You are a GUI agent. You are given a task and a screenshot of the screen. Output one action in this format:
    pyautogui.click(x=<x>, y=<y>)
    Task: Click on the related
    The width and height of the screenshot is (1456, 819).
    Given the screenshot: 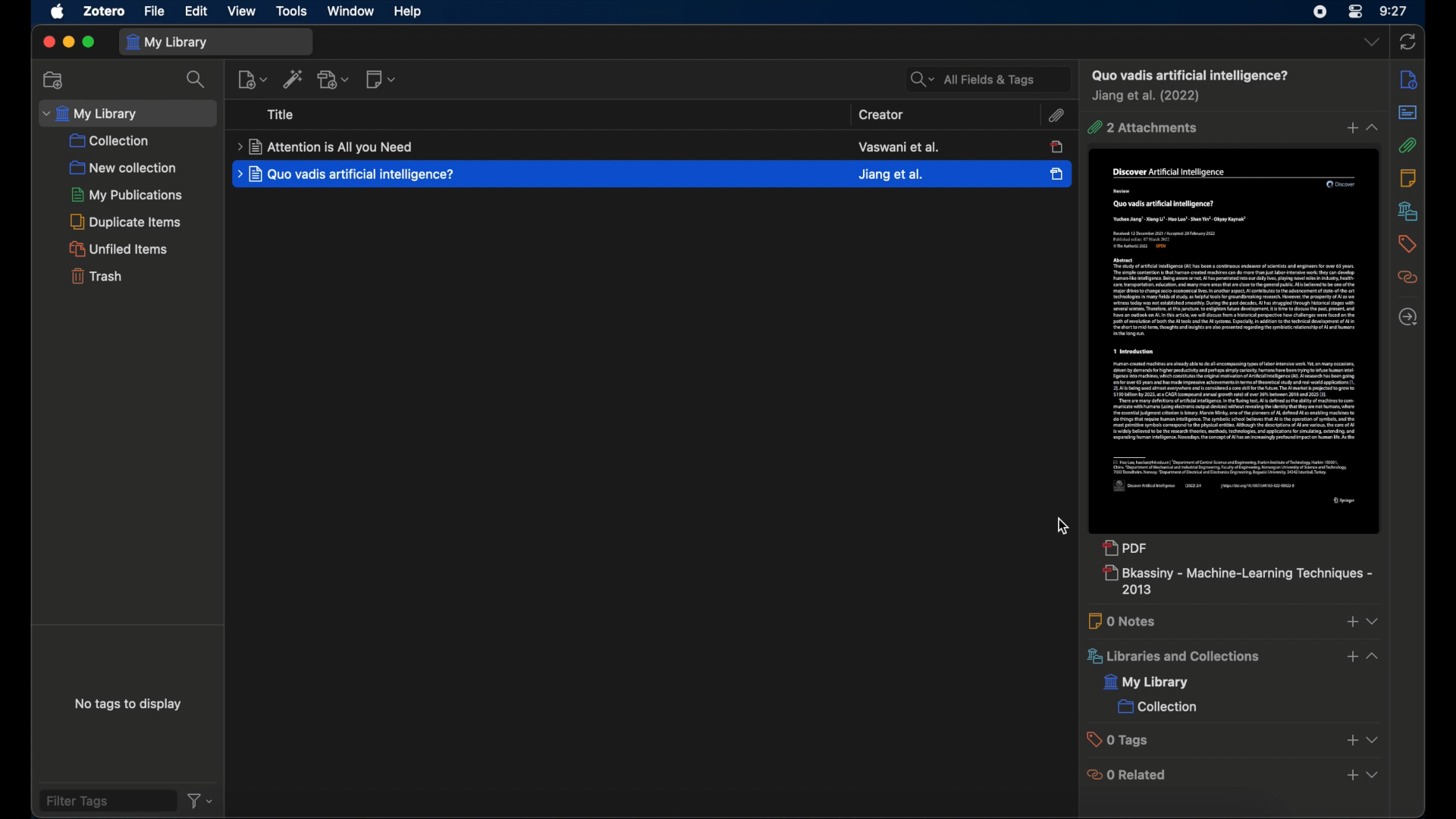 What is the action you would take?
    pyautogui.click(x=1407, y=278)
    